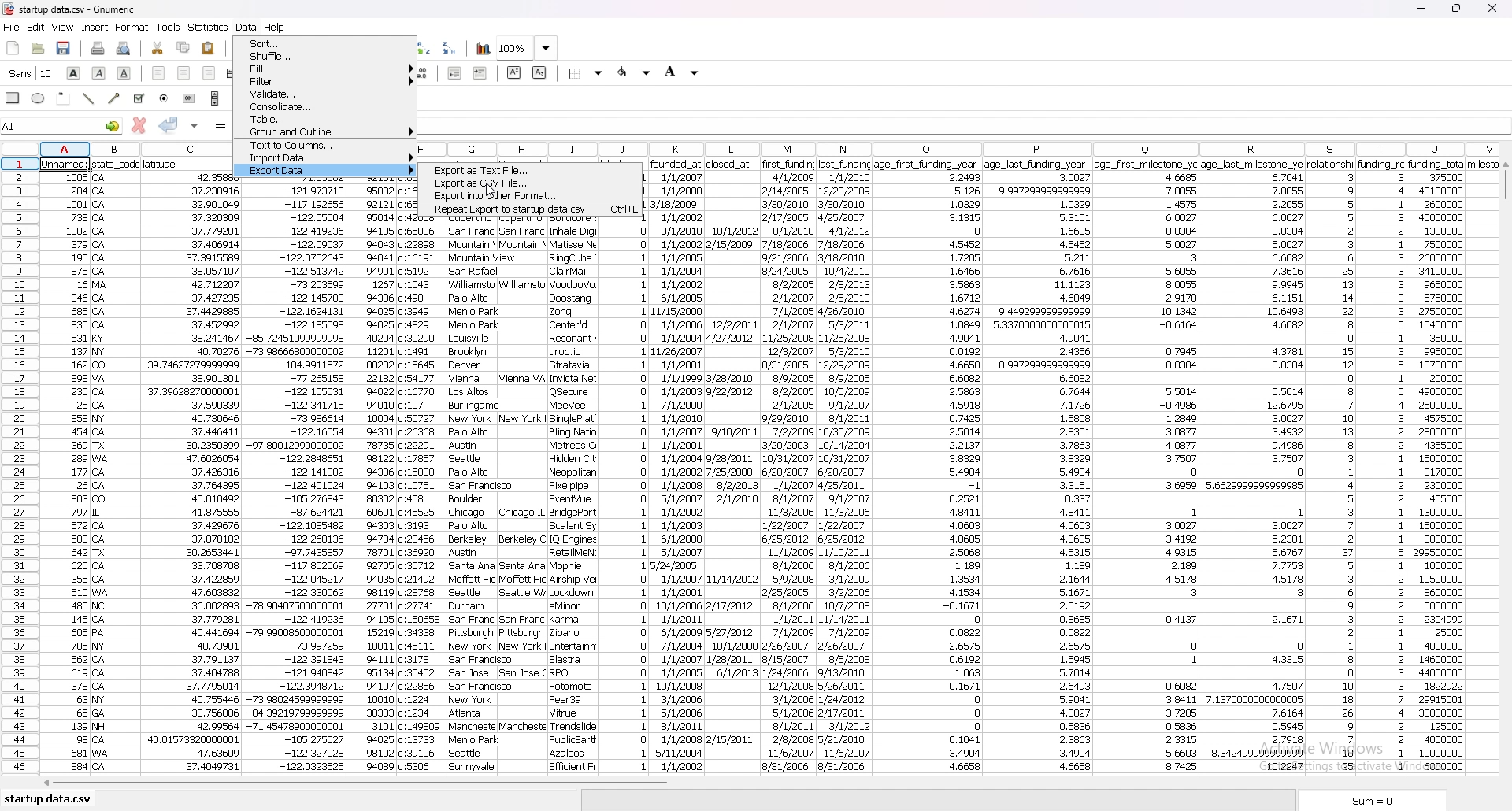  I want to click on sheet, so click(48, 800).